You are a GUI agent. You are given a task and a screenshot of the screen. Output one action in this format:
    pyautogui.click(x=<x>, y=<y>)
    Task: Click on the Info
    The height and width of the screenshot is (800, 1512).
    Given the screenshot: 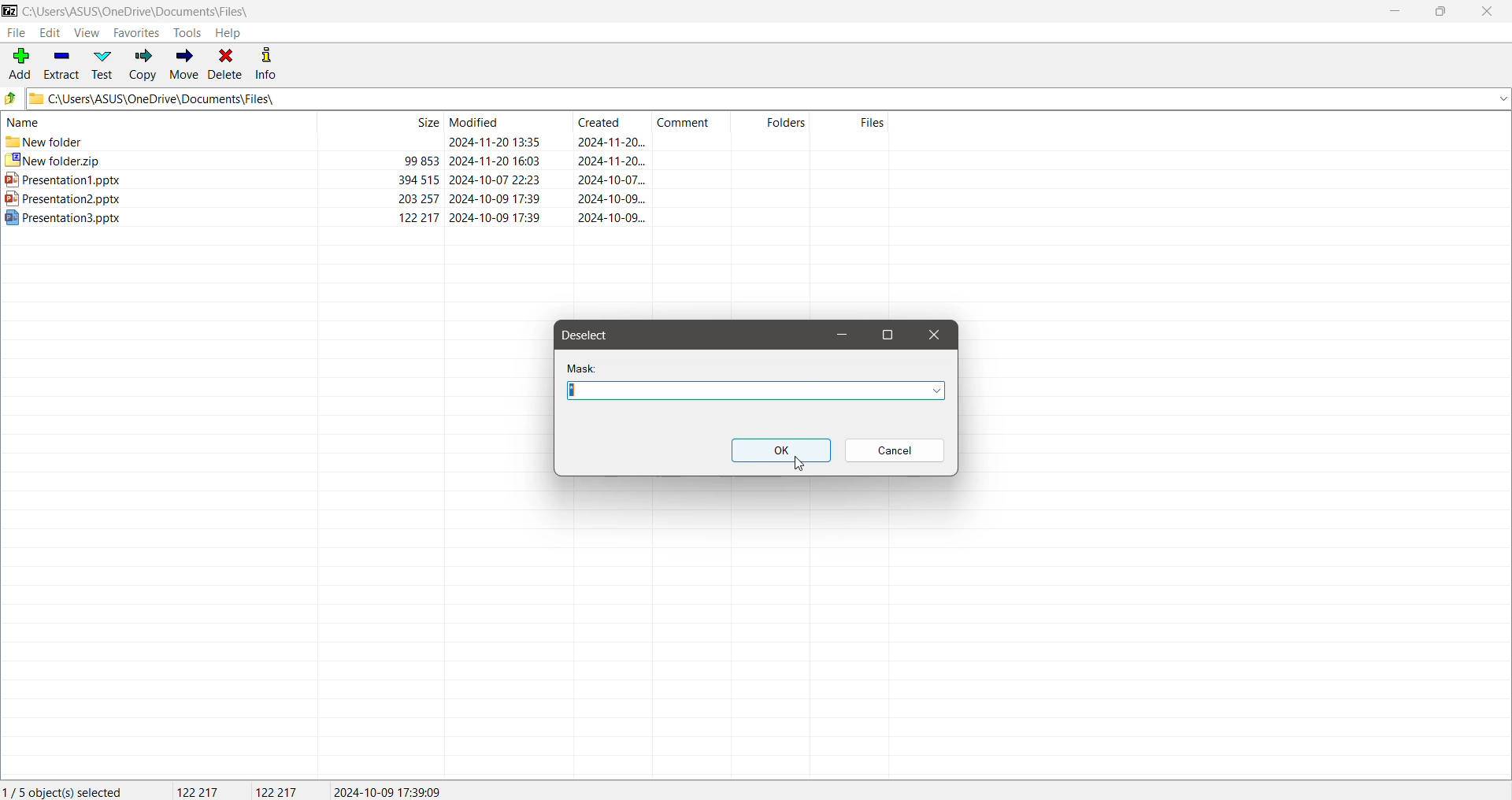 What is the action you would take?
    pyautogui.click(x=274, y=65)
    